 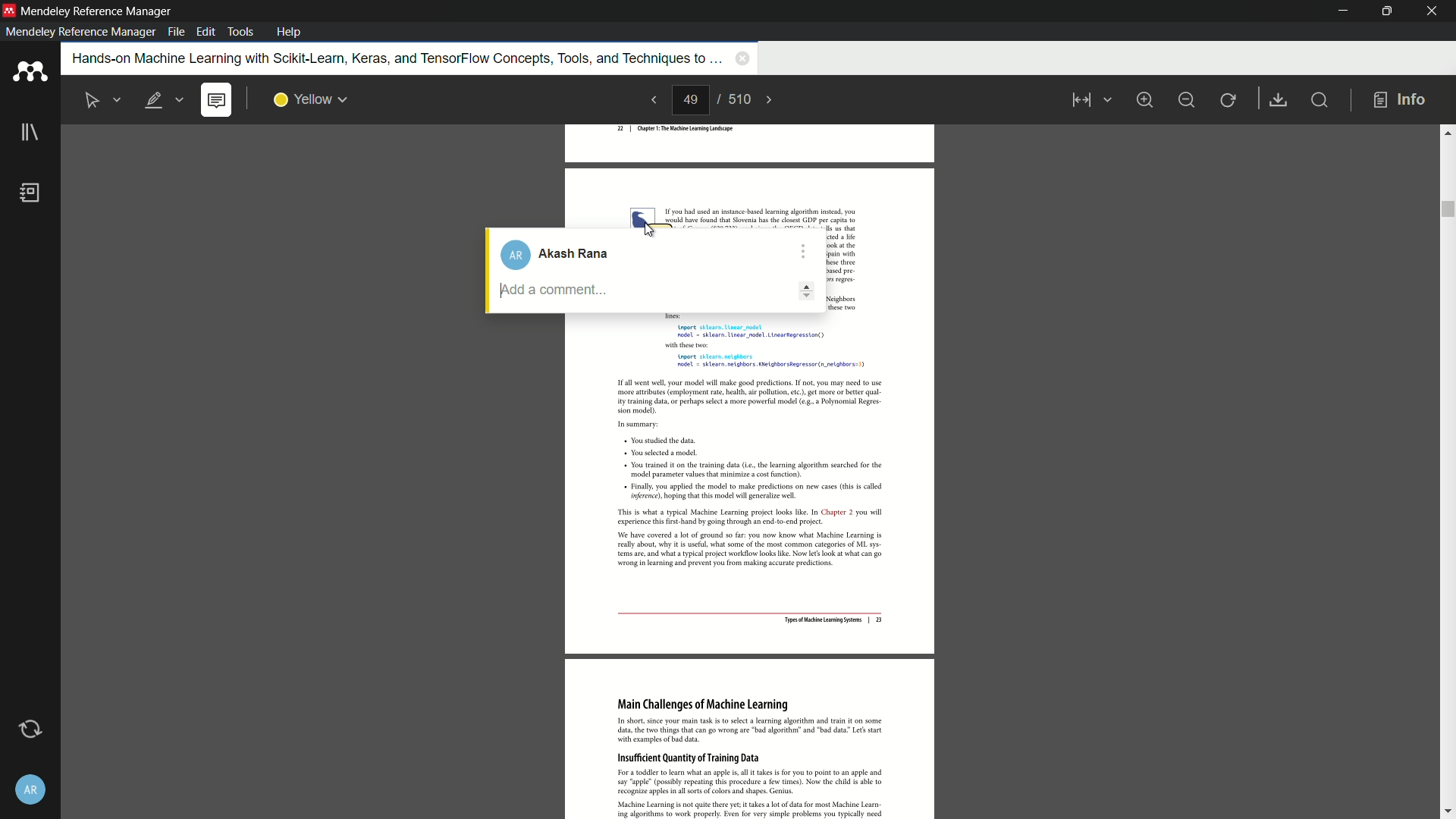 I want to click on app icon, so click(x=9, y=11).